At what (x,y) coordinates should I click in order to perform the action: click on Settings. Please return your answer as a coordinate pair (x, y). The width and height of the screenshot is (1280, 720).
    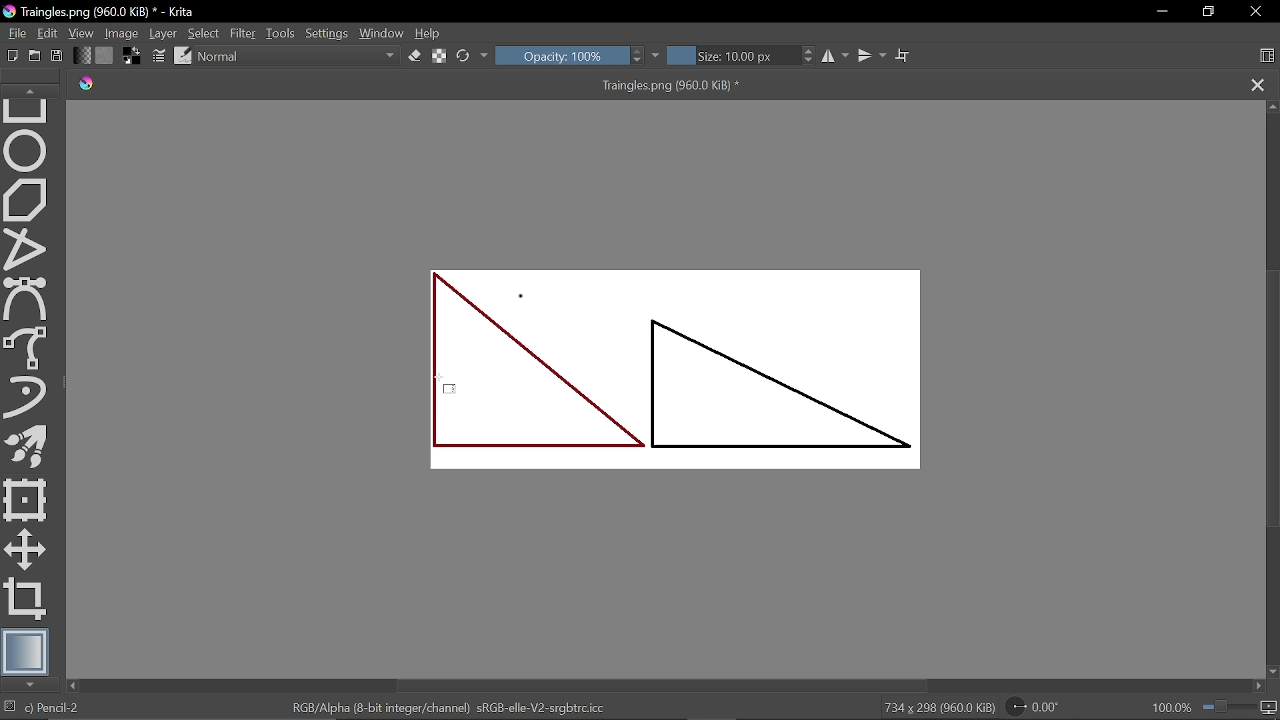
    Looking at the image, I should click on (328, 33).